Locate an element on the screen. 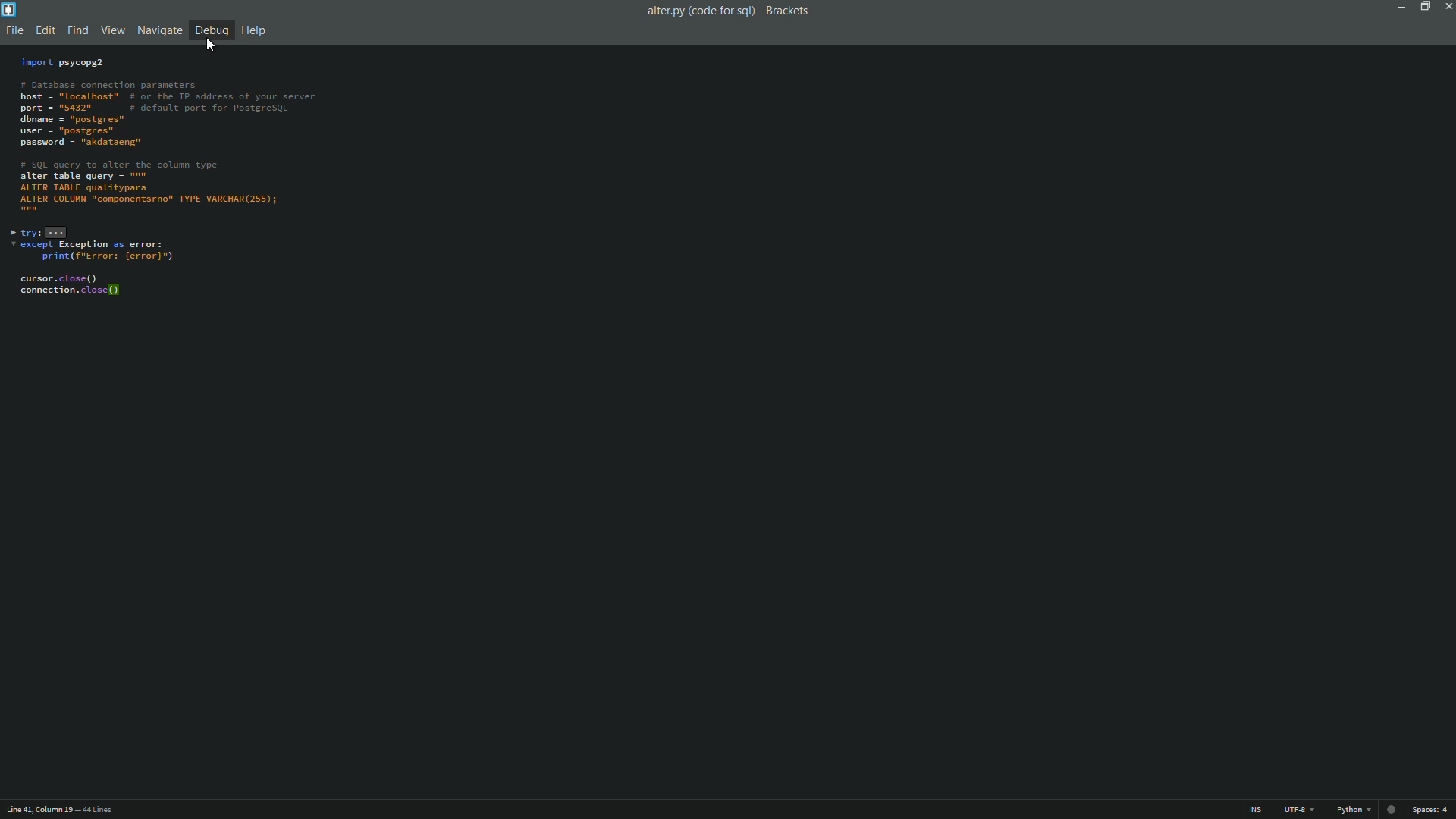 The image size is (1456, 819). Close app is located at coordinates (1447, 6).